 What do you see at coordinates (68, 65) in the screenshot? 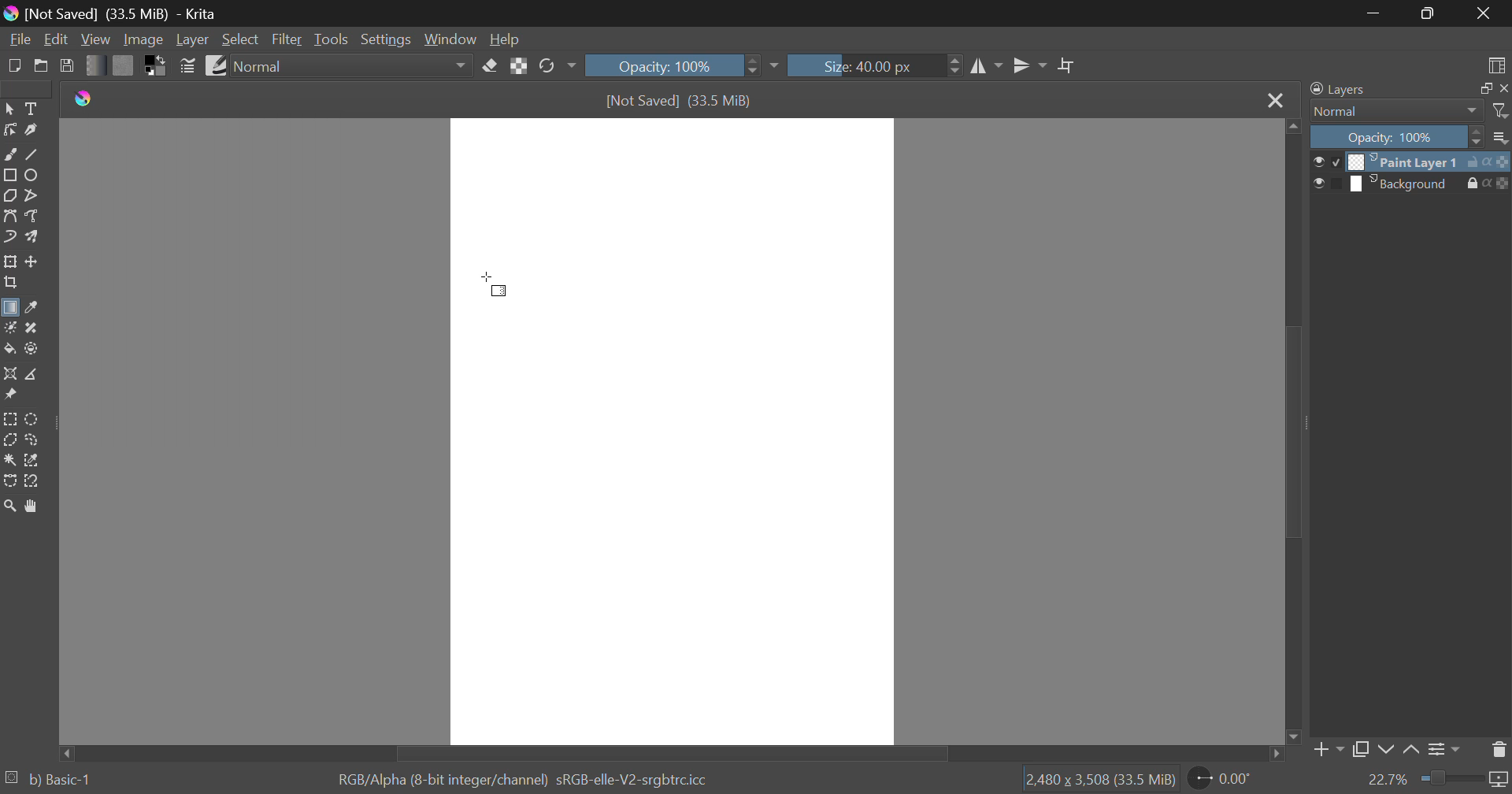
I see `Save` at bounding box center [68, 65].